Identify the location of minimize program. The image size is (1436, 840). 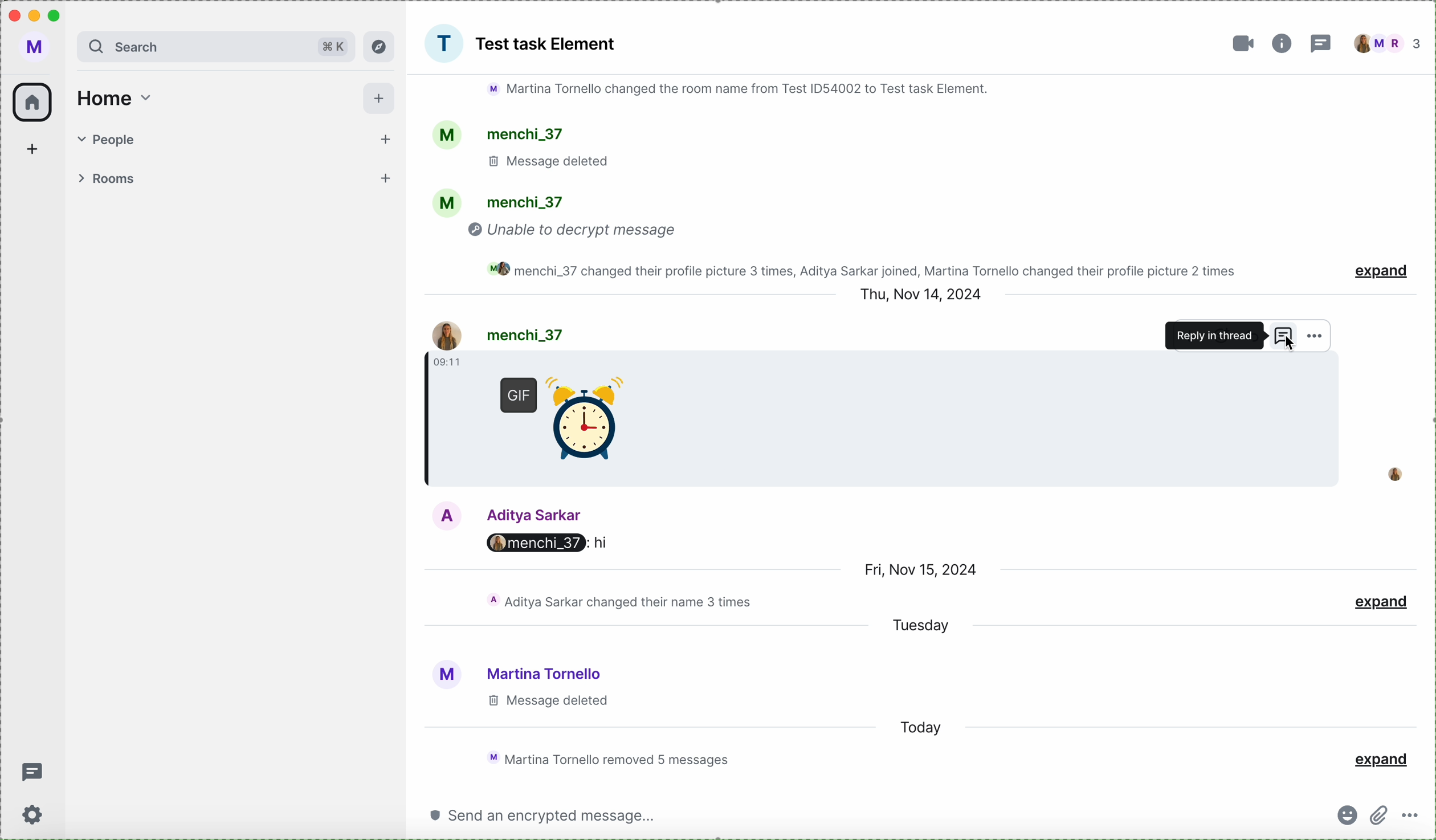
(36, 18).